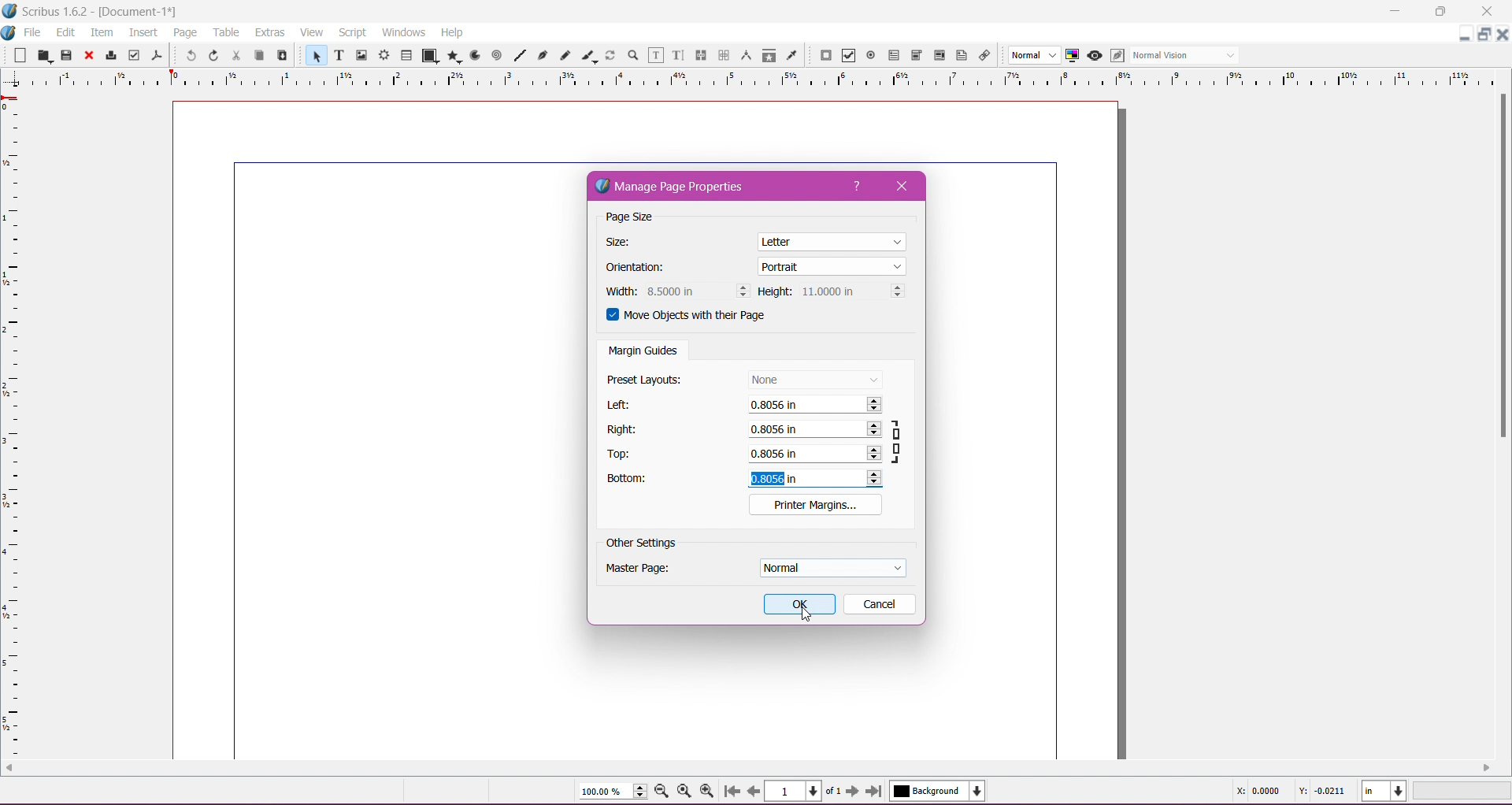  I want to click on Select the current unit, so click(1384, 792).